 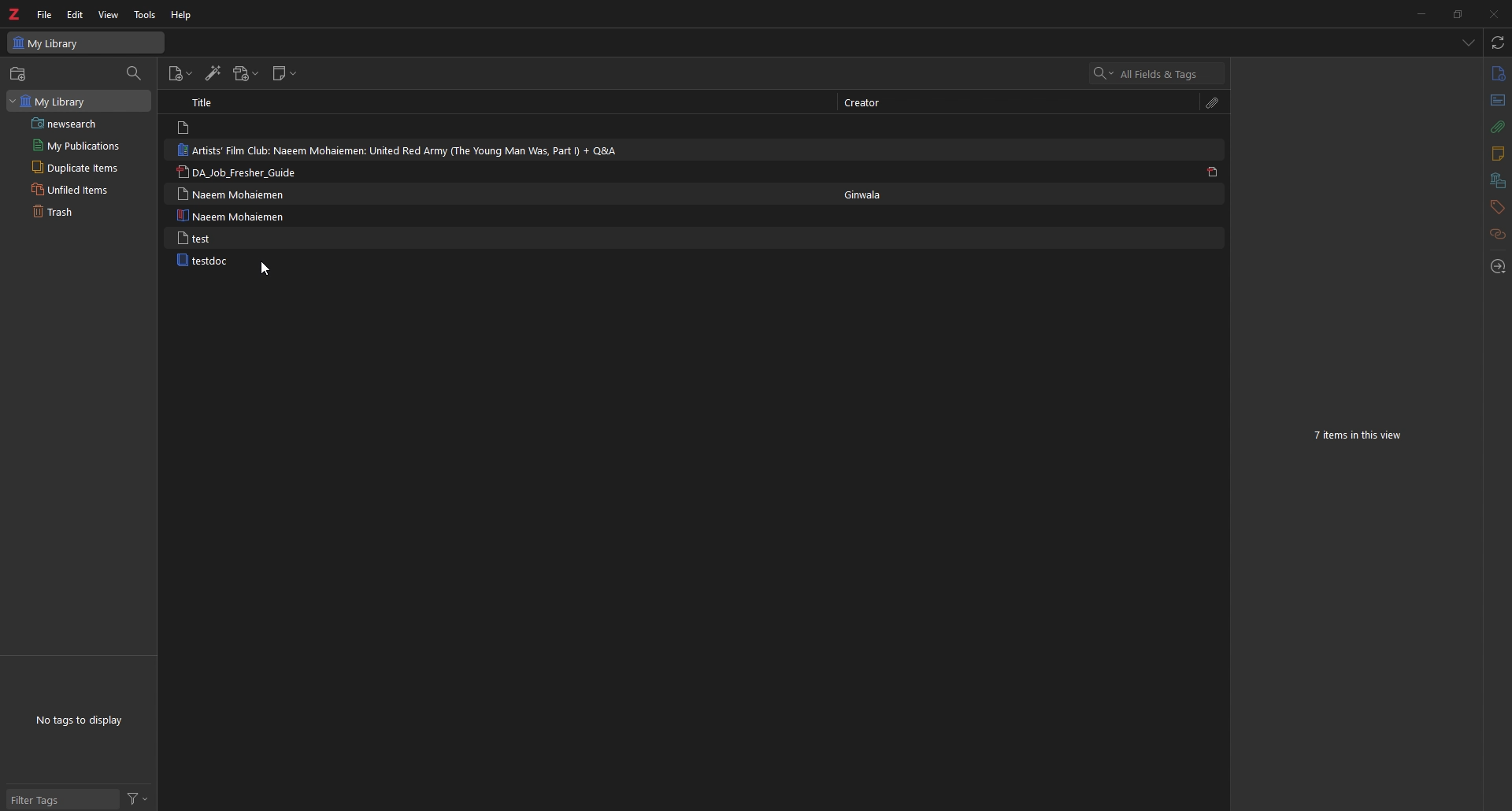 I want to click on resize, so click(x=1457, y=14).